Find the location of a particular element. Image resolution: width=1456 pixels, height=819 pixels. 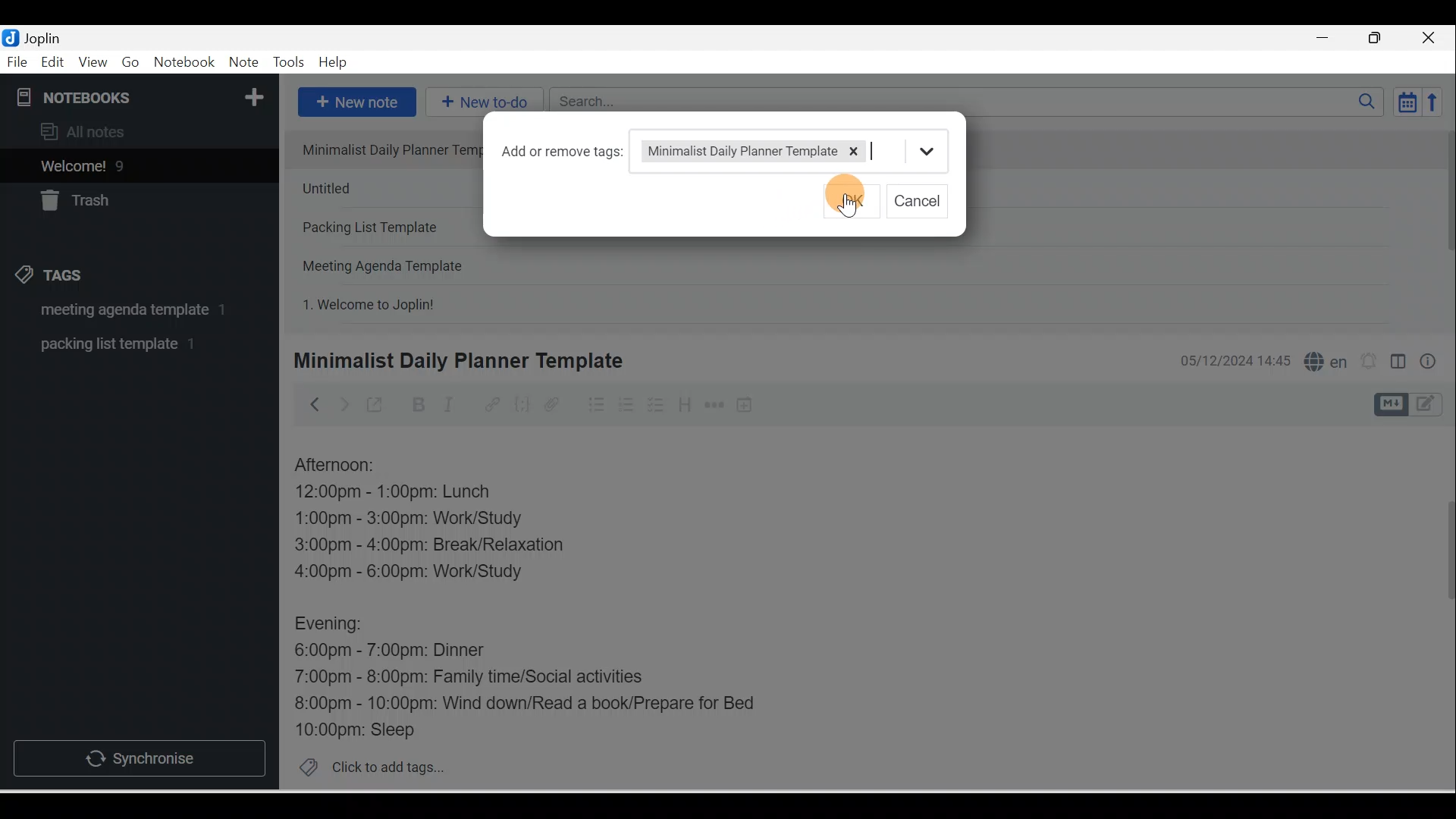

Note 1 is located at coordinates (388, 149).